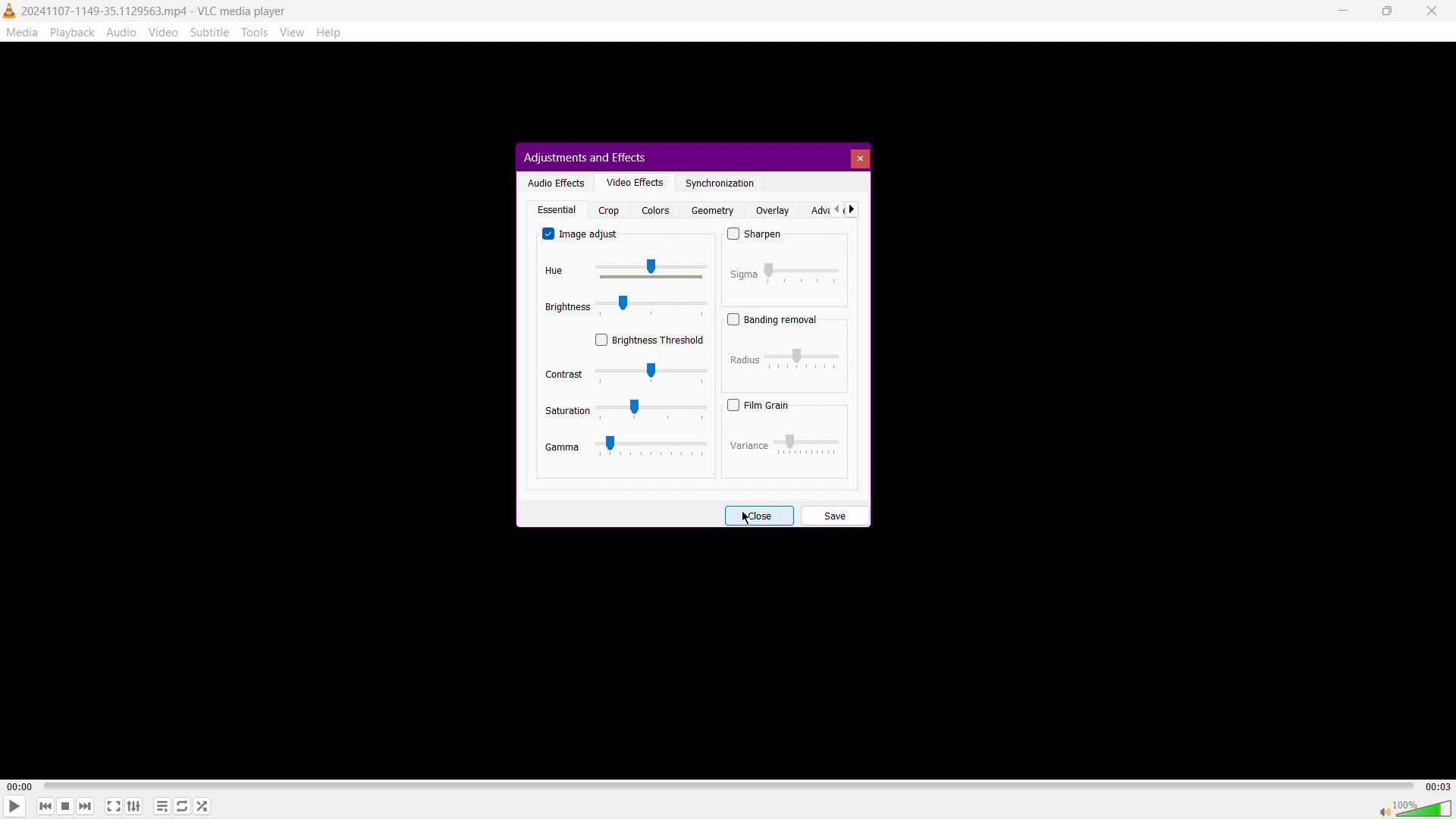  Describe the element at coordinates (64, 808) in the screenshot. I see `Stop` at that location.